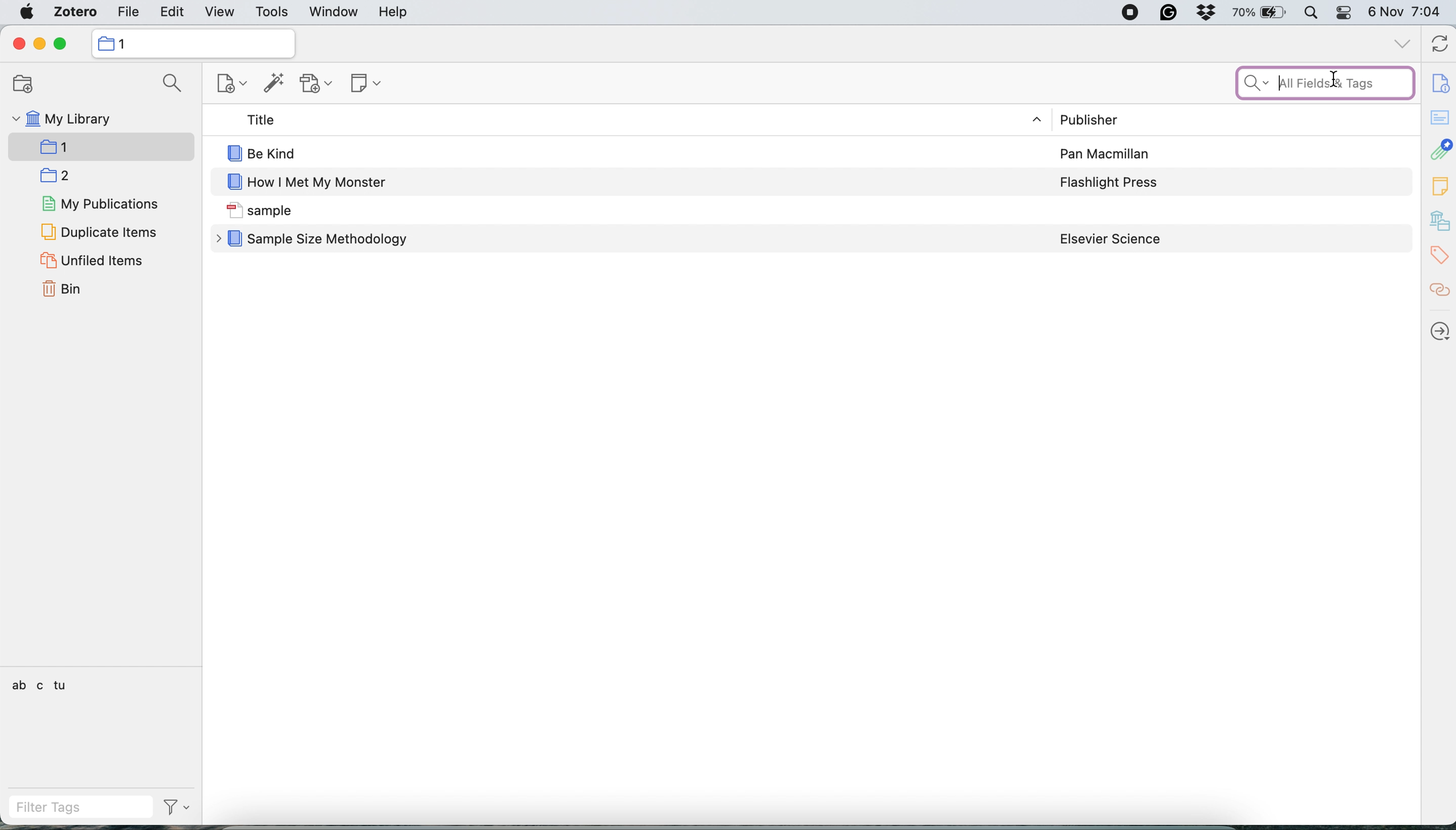 Image resolution: width=1456 pixels, height=830 pixels. Describe the element at coordinates (1106, 154) in the screenshot. I see `Pan Macmillan` at that location.